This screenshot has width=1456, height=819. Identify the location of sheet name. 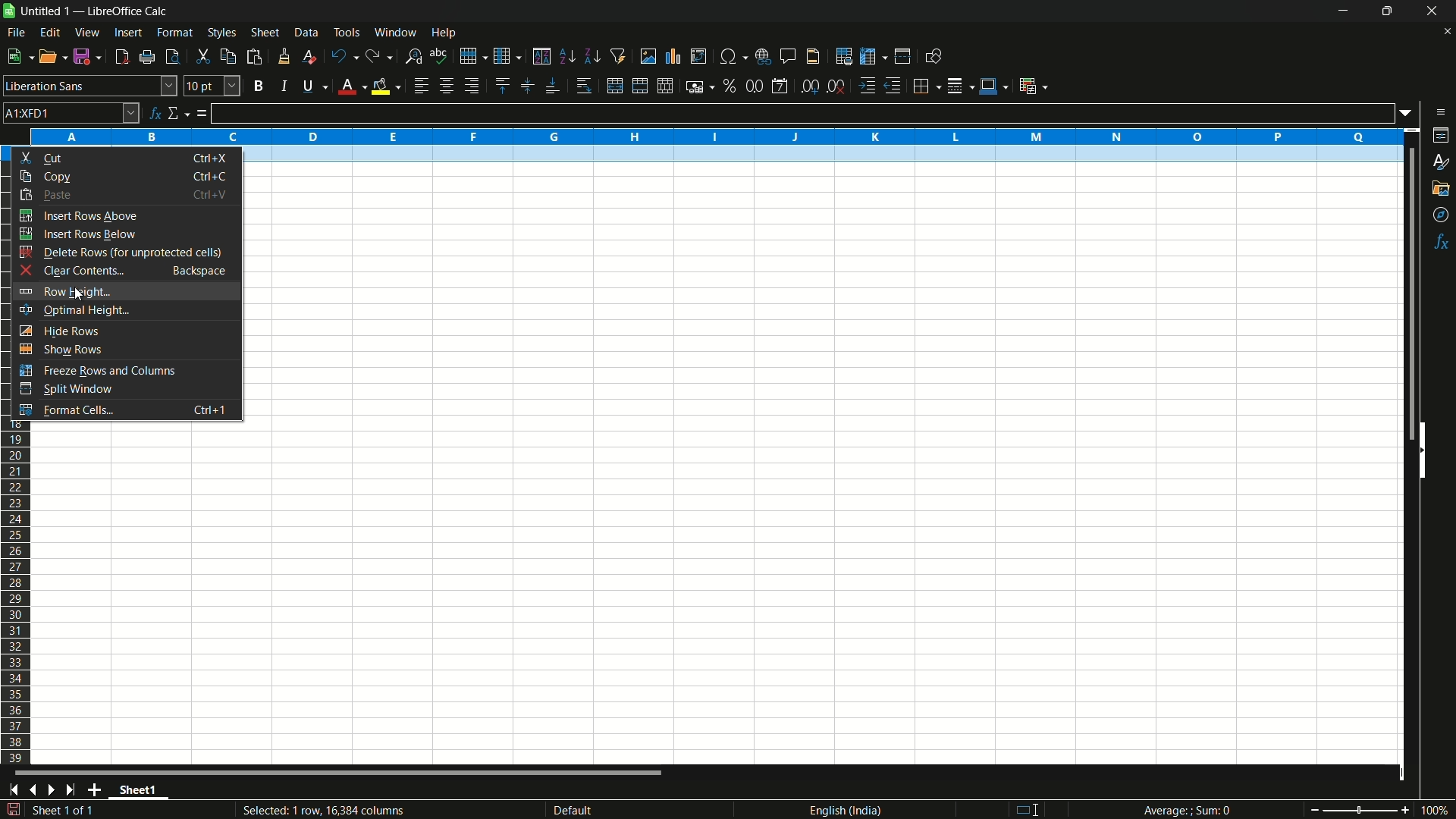
(143, 792).